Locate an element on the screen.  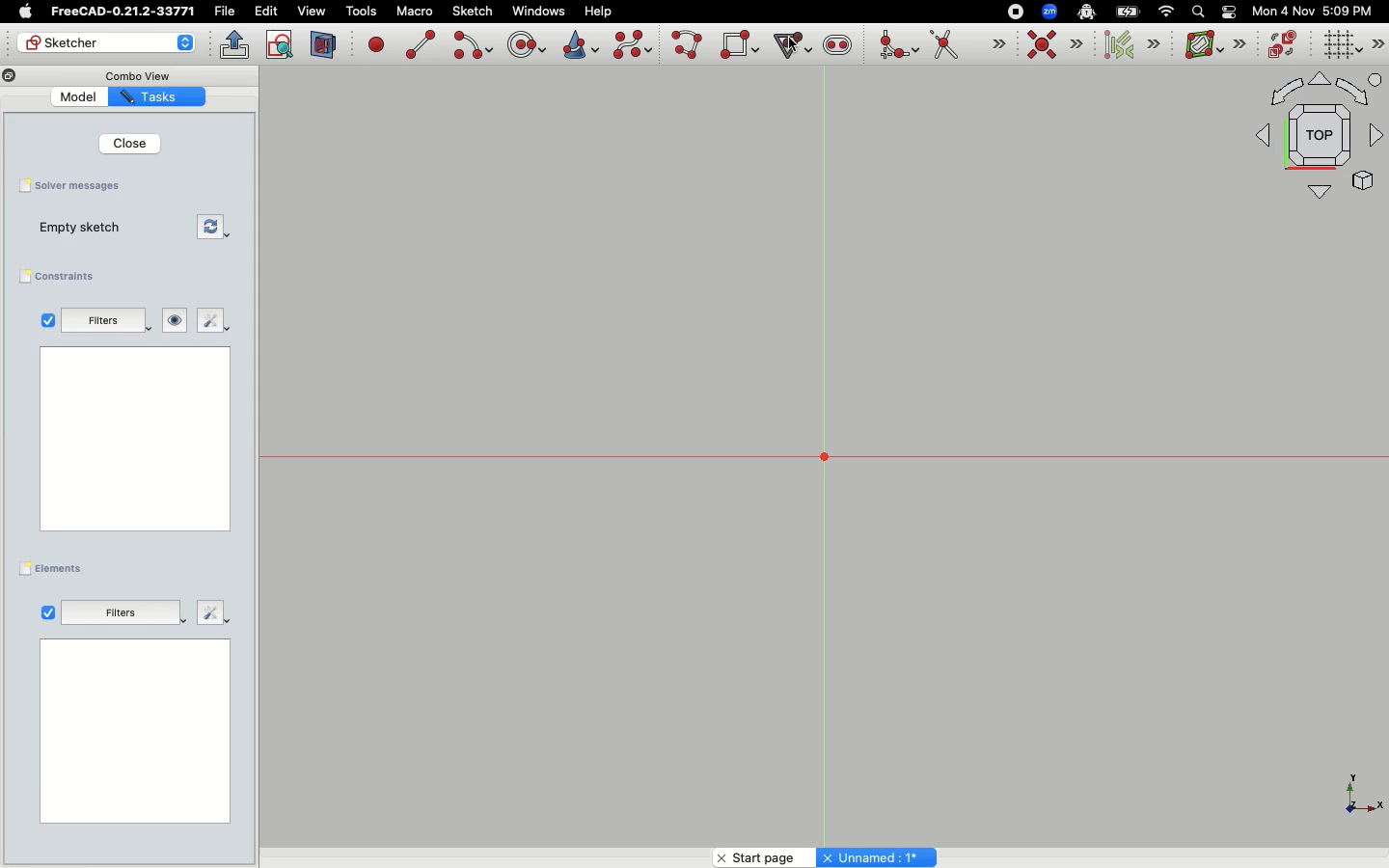
Toggle is located at coordinates (1229, 12).